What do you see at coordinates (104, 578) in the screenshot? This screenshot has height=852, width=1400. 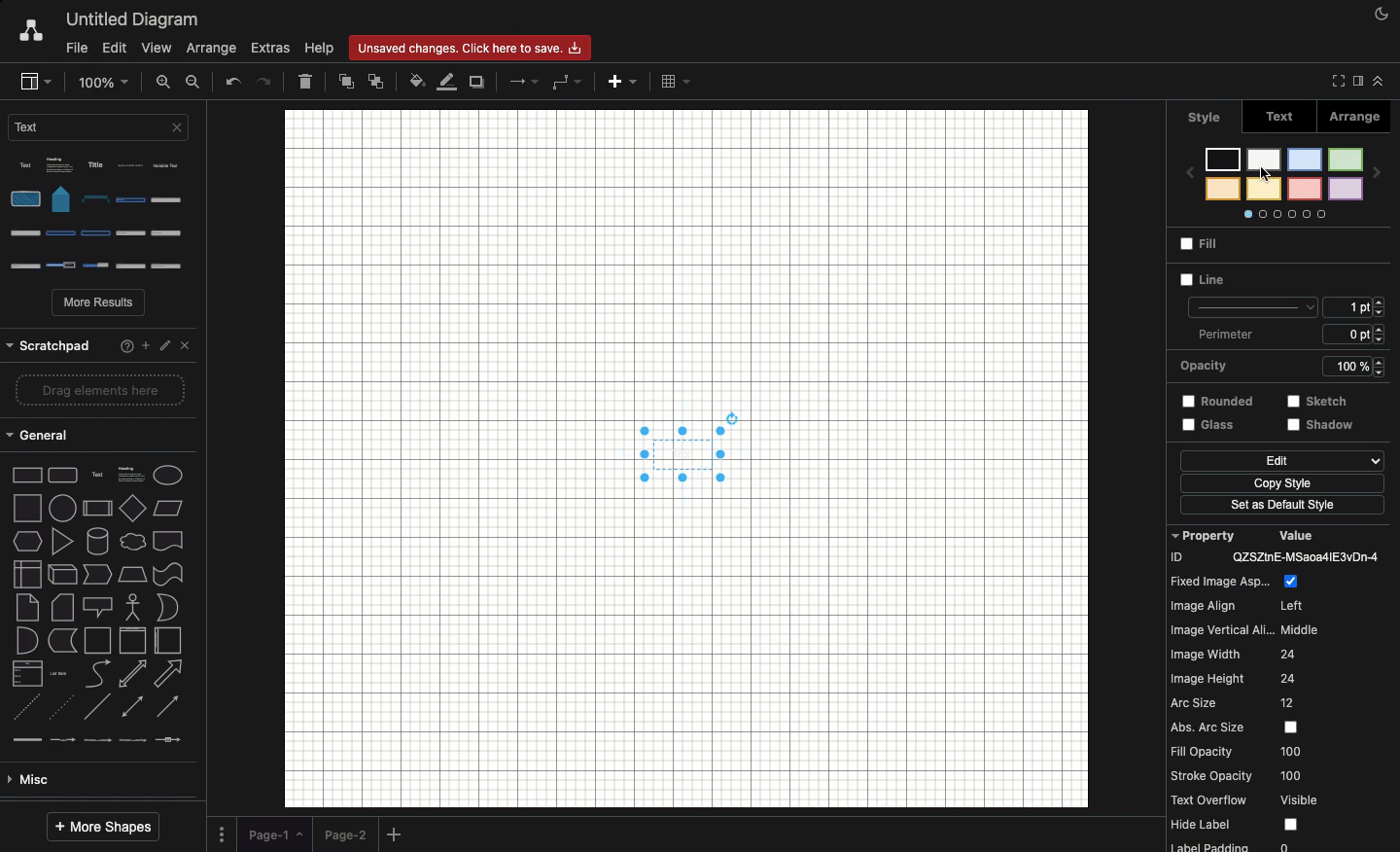 I see `line types` at bounding box center [104, 578].